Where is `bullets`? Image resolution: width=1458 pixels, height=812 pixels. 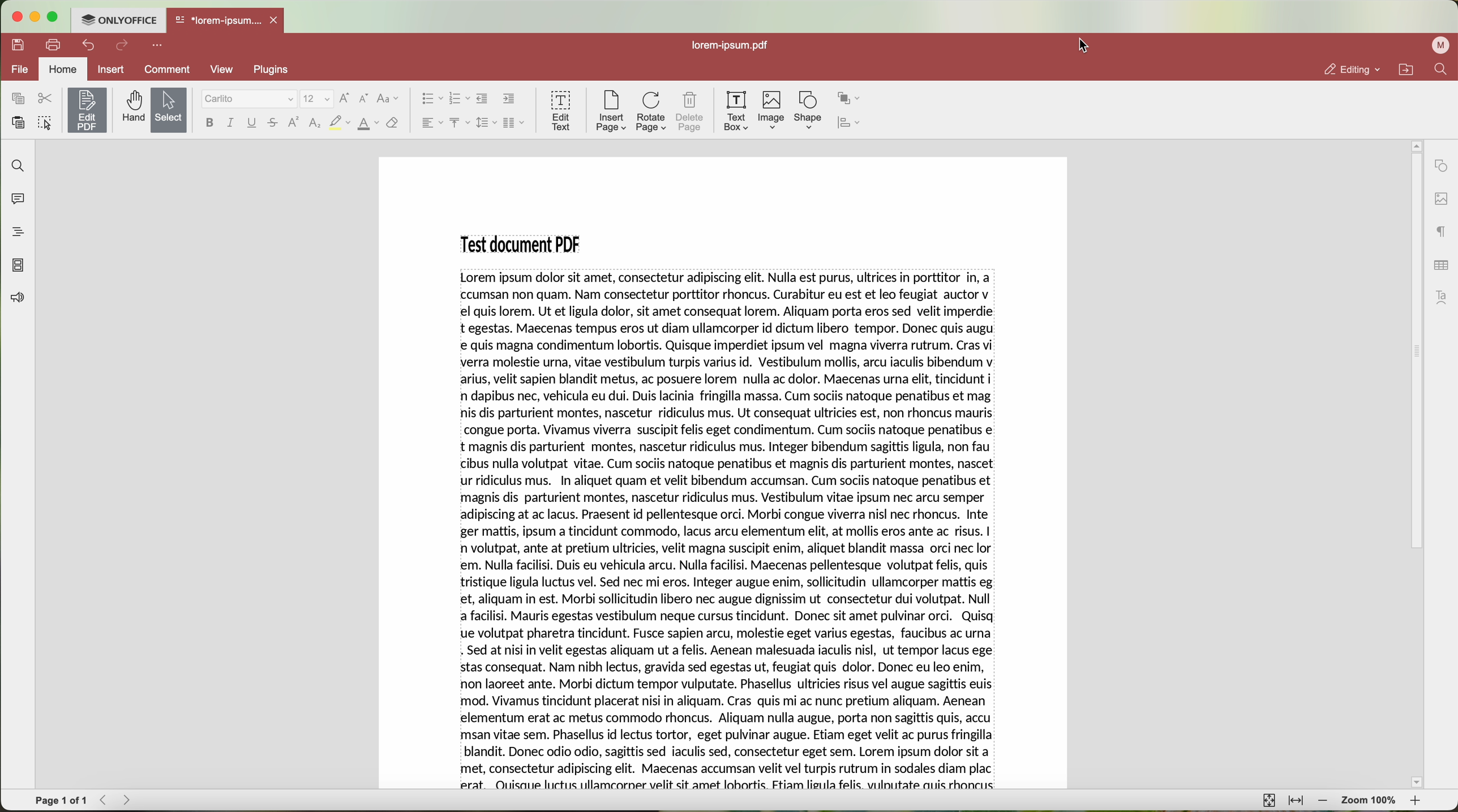 bullets is located at coordinates (431, 98).